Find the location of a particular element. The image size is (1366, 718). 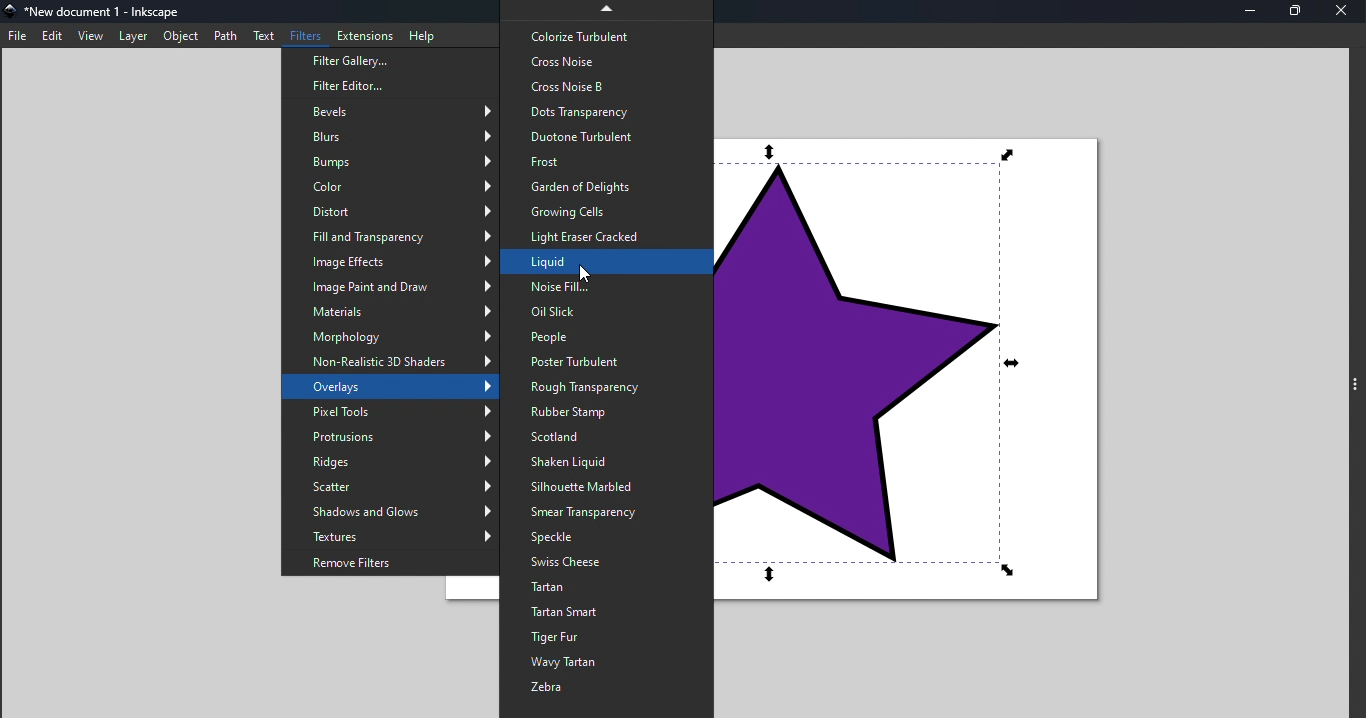

Tartan smart is located at coordinates (606, 611).